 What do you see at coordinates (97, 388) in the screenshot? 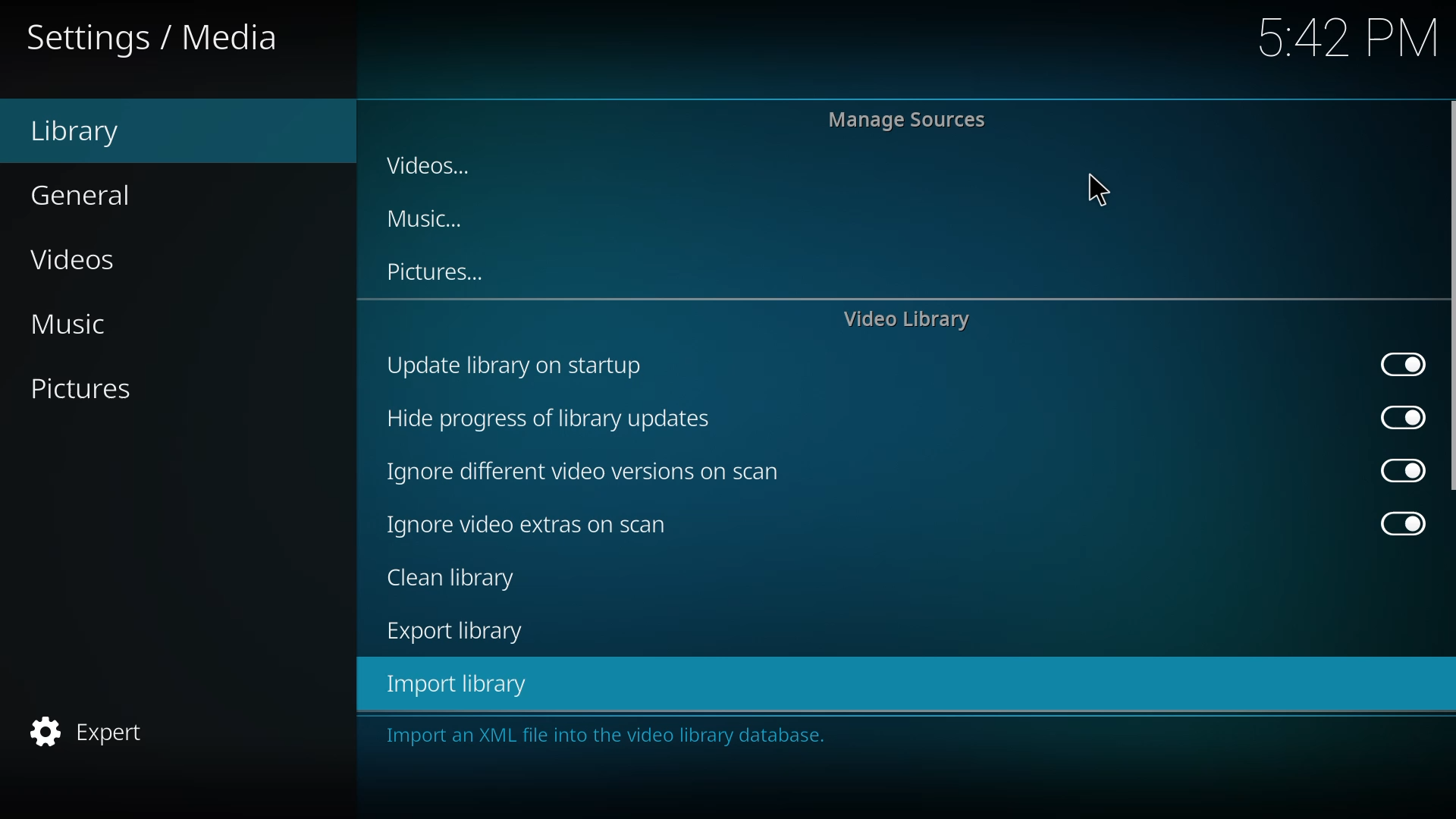
I see `pictures` at bounding box center [97, 388].